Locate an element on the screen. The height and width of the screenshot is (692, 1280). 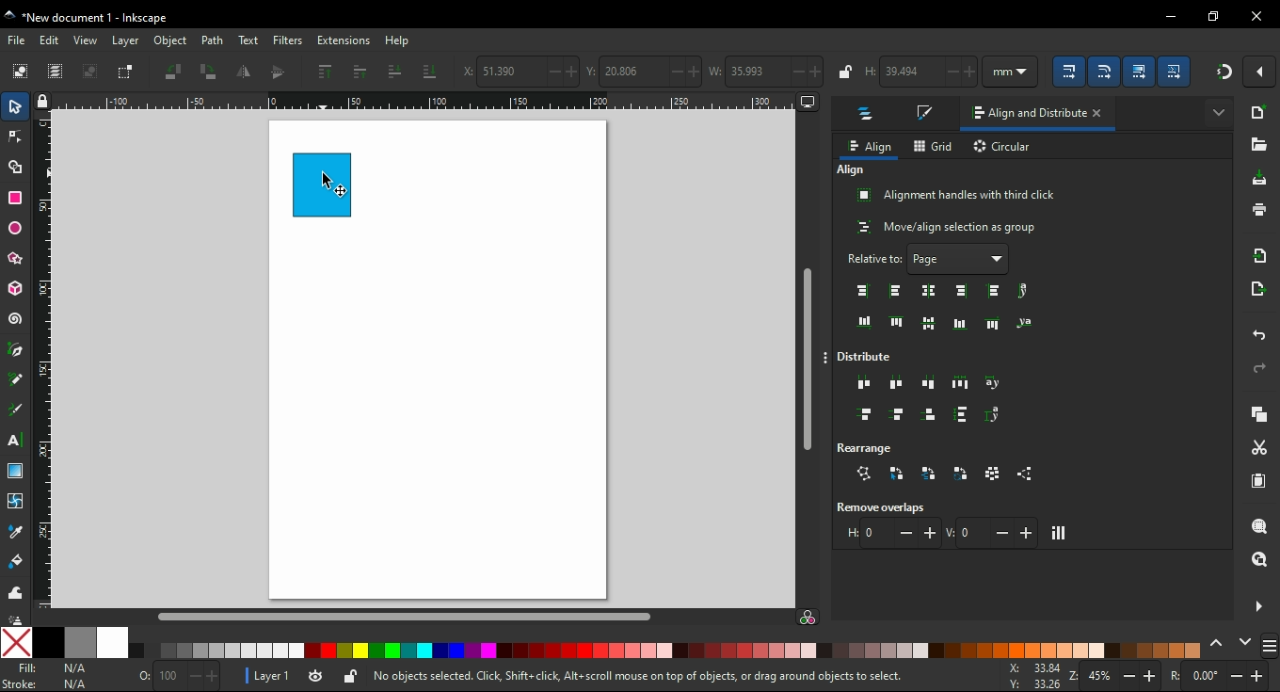
move objects as little as possible so that the bounding boxes do not overlap is located at coordinates (1060, 533).